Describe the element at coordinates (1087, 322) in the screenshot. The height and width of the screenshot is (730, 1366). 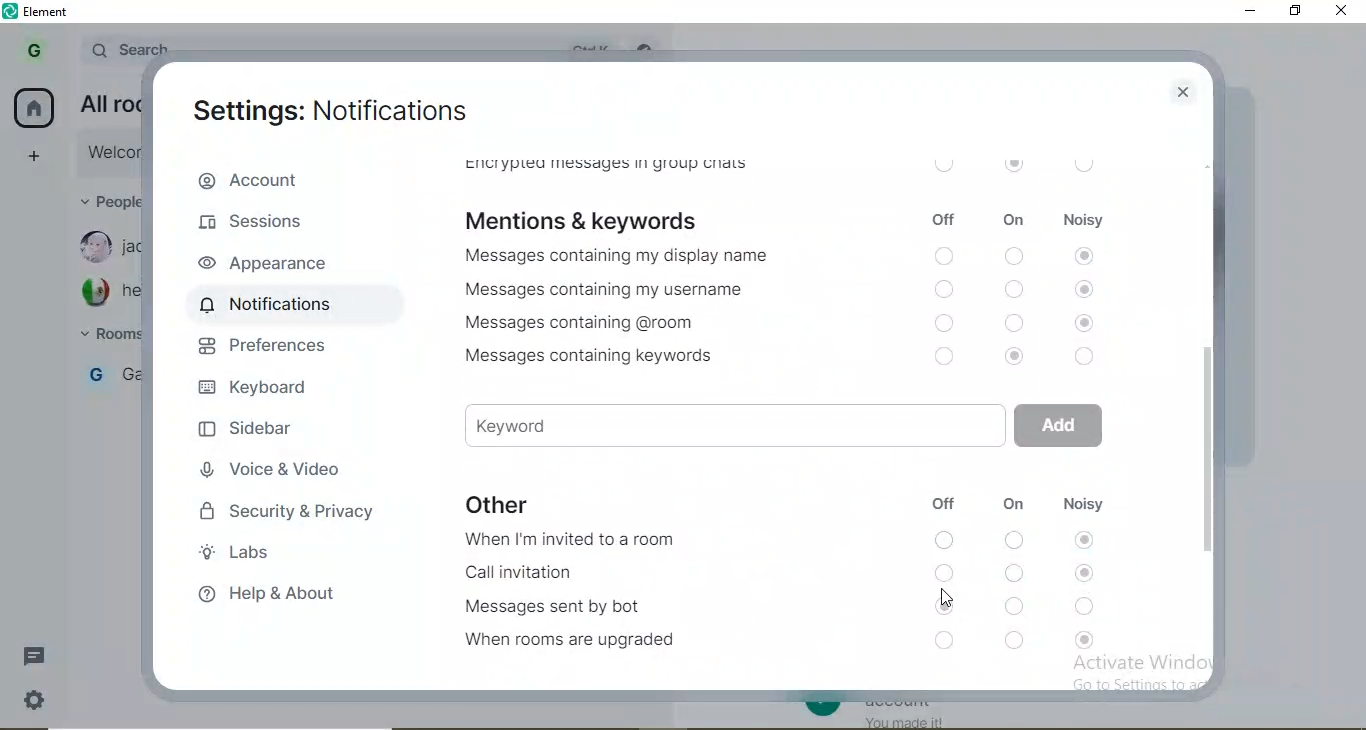
I see `noisy switch` at that location.